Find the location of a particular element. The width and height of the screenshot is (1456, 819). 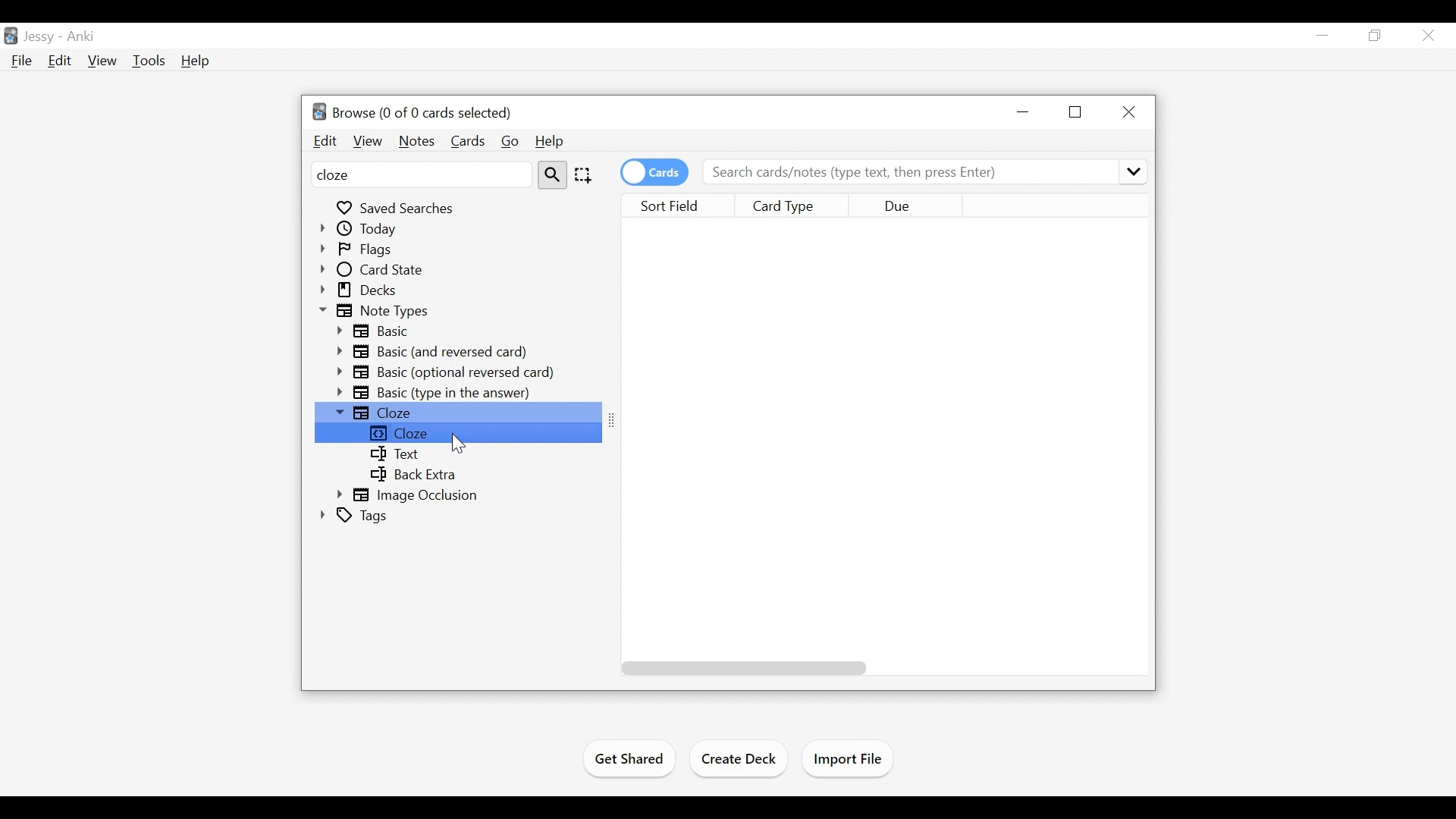

minimize is located at coordinates (1323, 35).